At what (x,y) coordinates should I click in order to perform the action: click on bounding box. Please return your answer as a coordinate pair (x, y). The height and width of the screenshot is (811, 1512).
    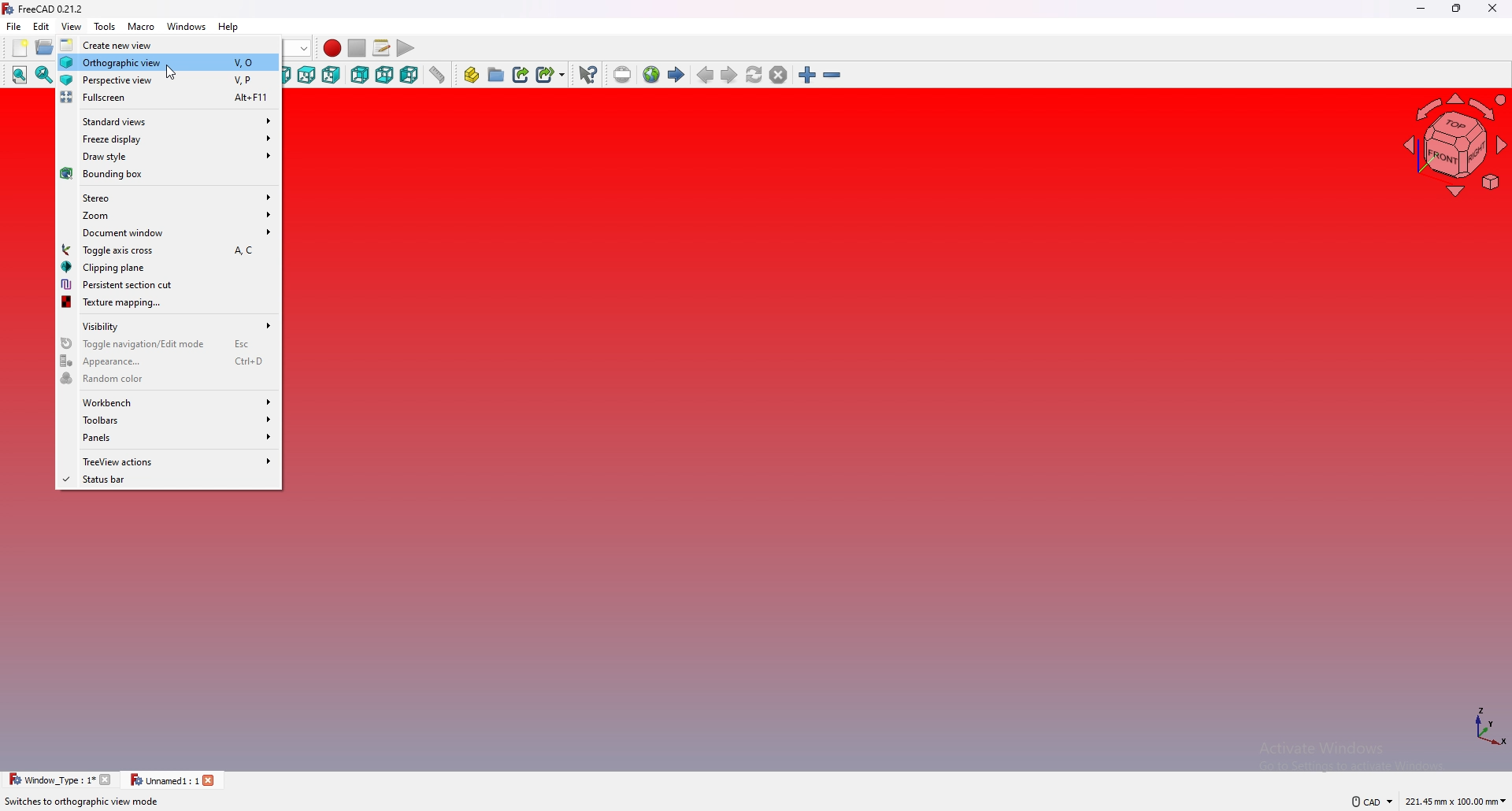
    Looking at the image, I should click on (169, 174).